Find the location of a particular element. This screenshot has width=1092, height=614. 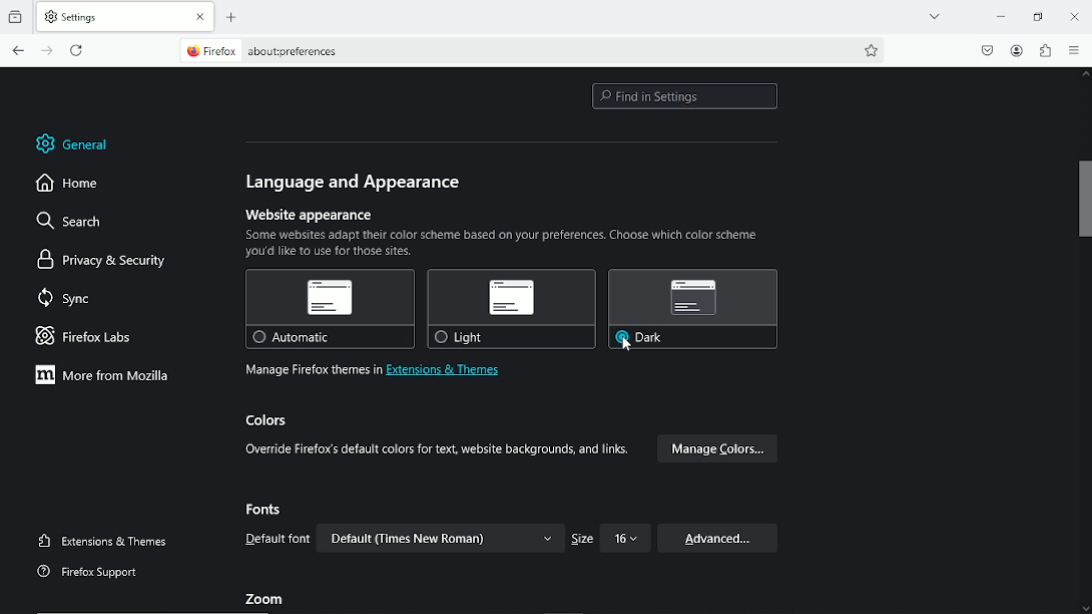

vertical scroll bar is located at coordinates (1085, 341).